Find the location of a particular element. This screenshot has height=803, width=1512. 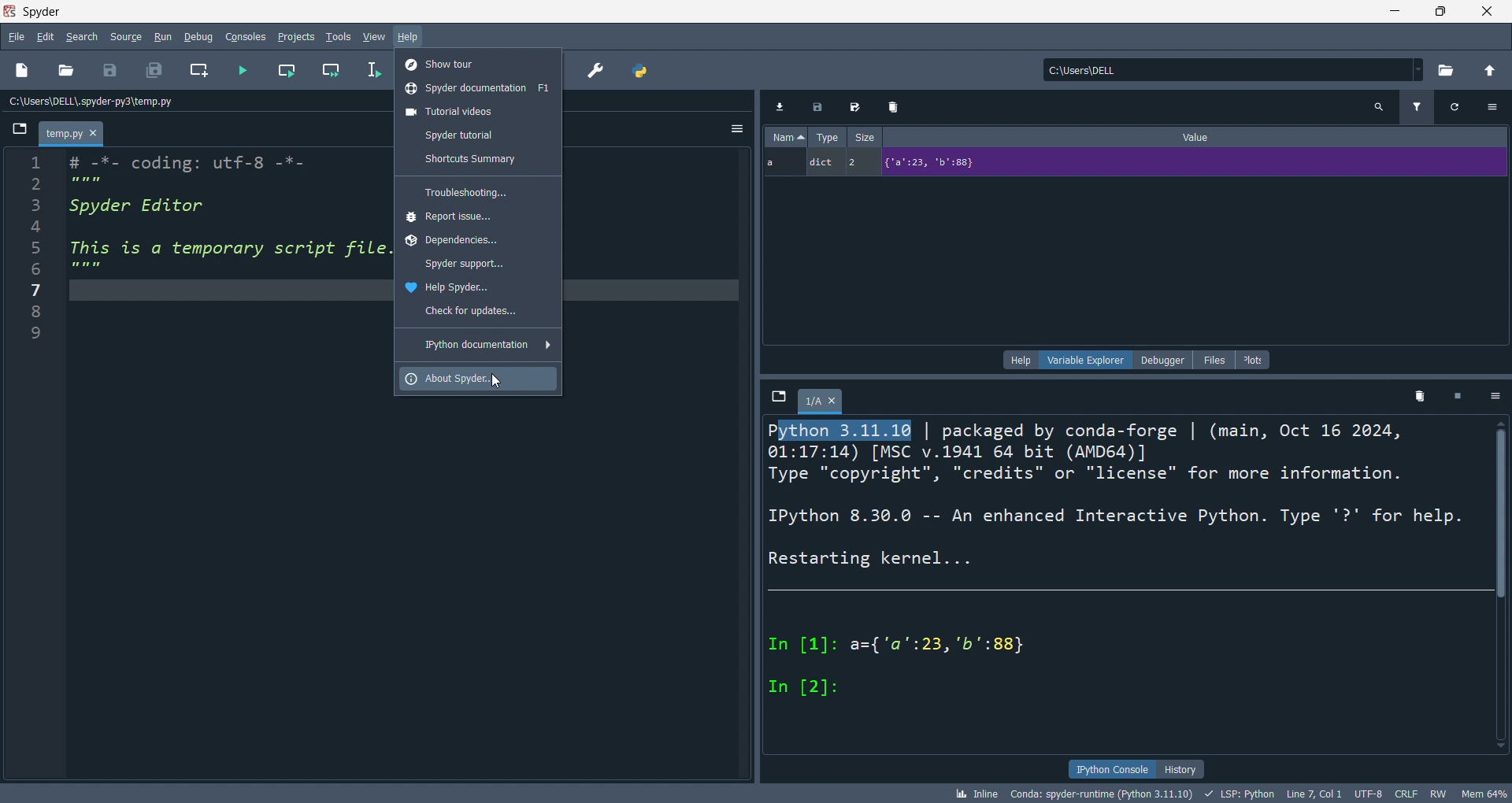

Value is located at coordinates (1195, 136).